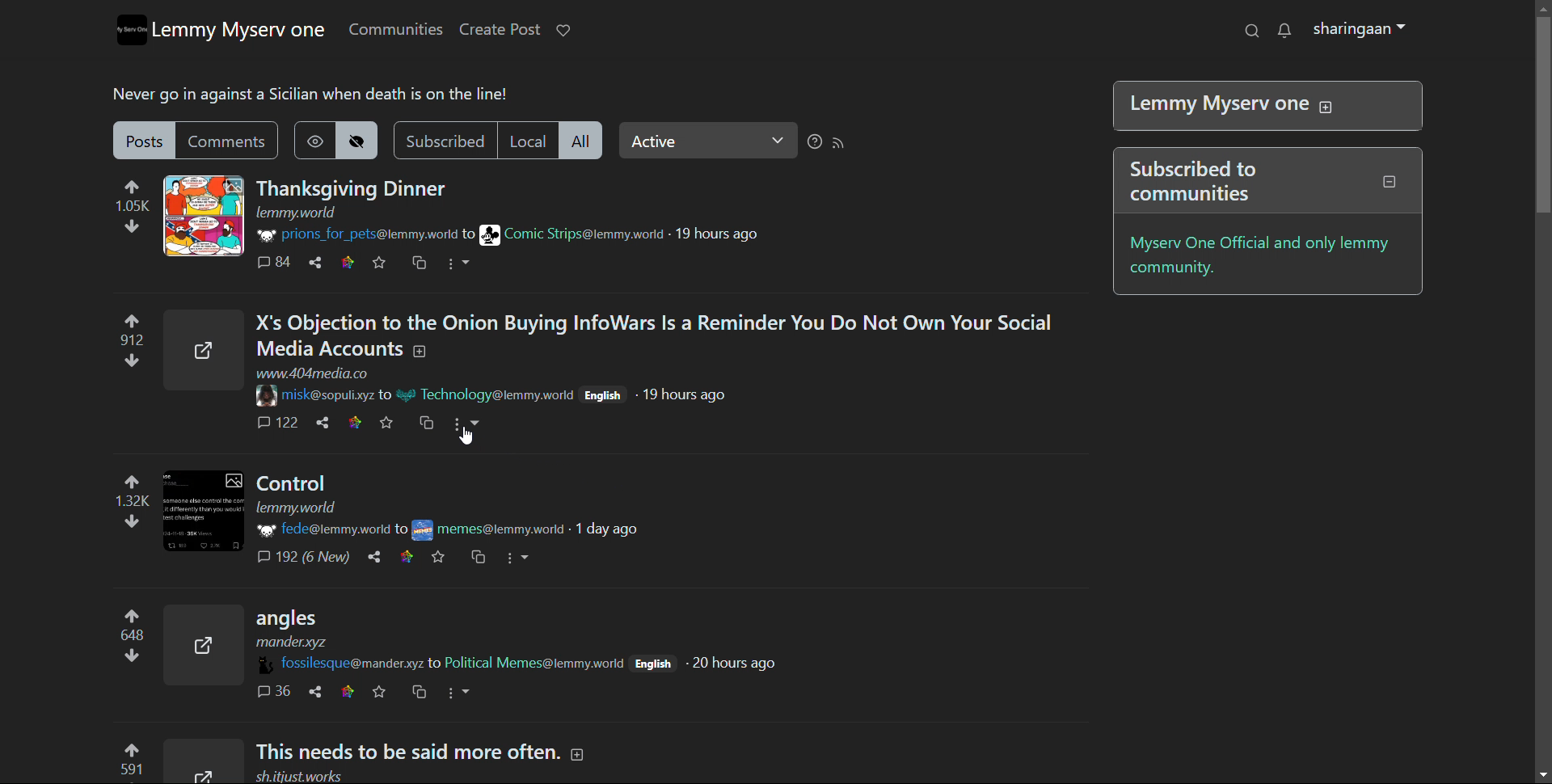  Describe the element at coordinates (688, 394) in the screenshot. I see `19 hours ago (Post time)` at that location.